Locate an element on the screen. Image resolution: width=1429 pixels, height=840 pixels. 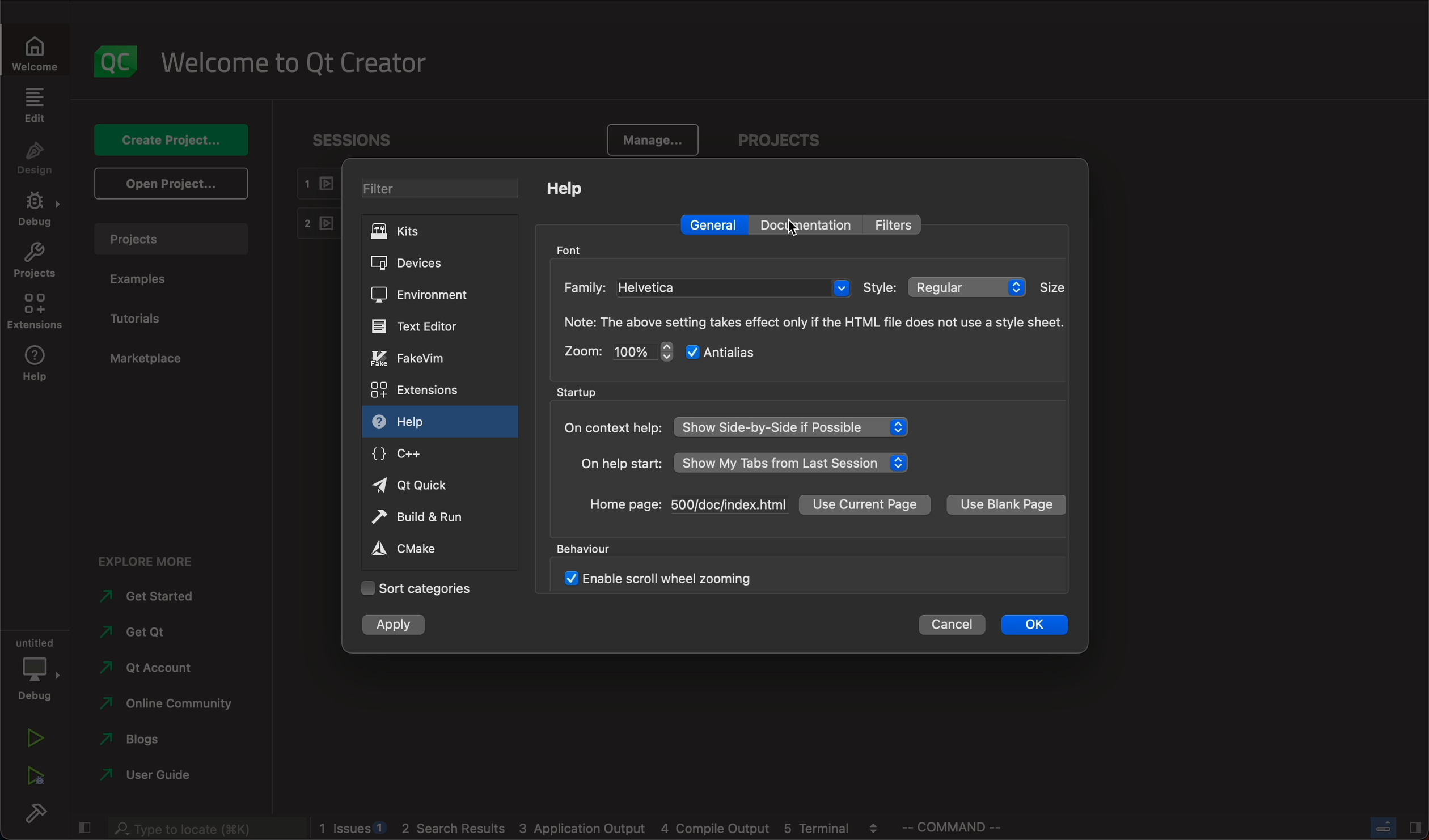
design is located at coordinates (36, 164).